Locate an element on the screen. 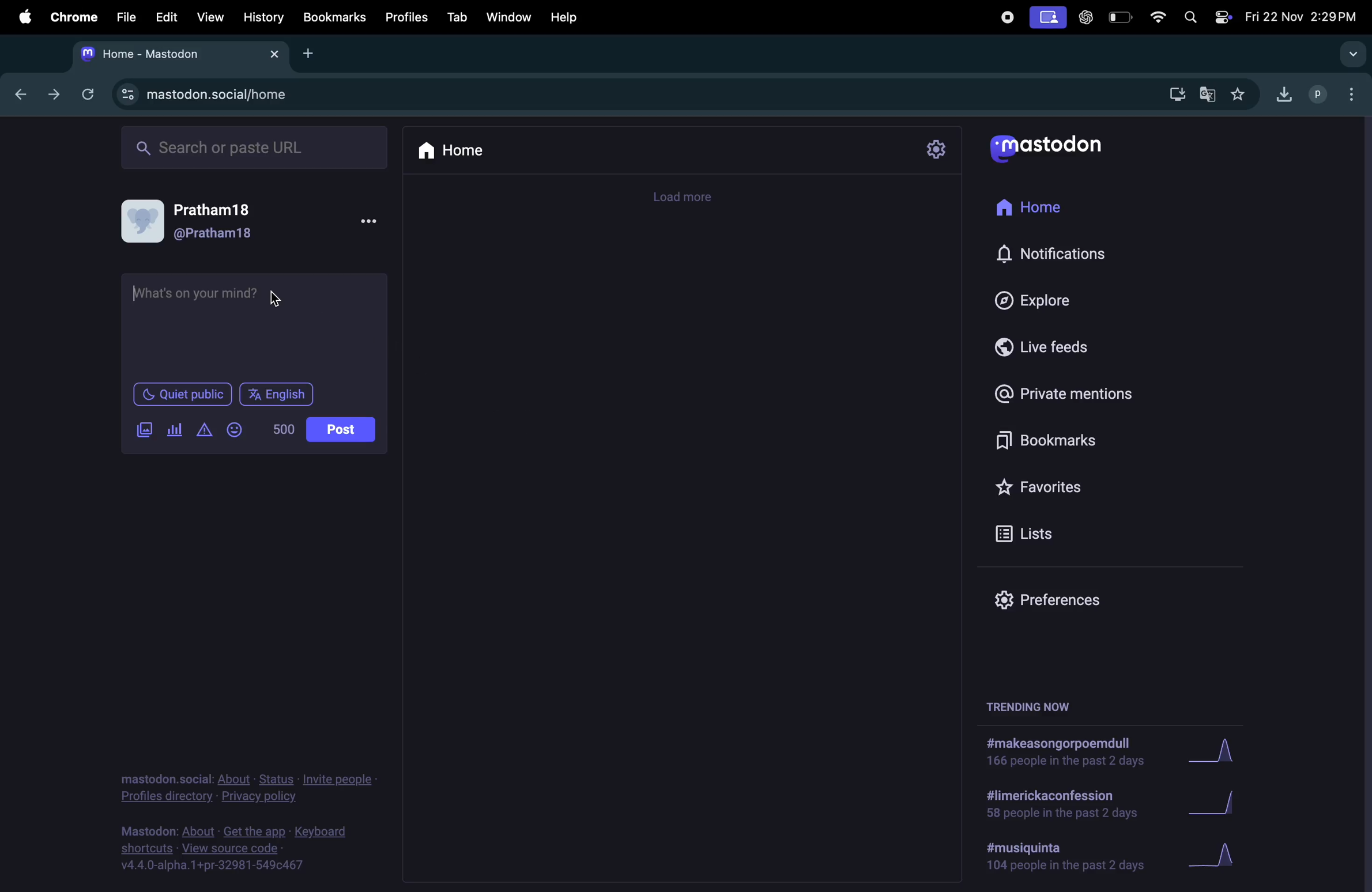 This screenshot has width=1372, height=892. home is located at coordinates (454, 156).